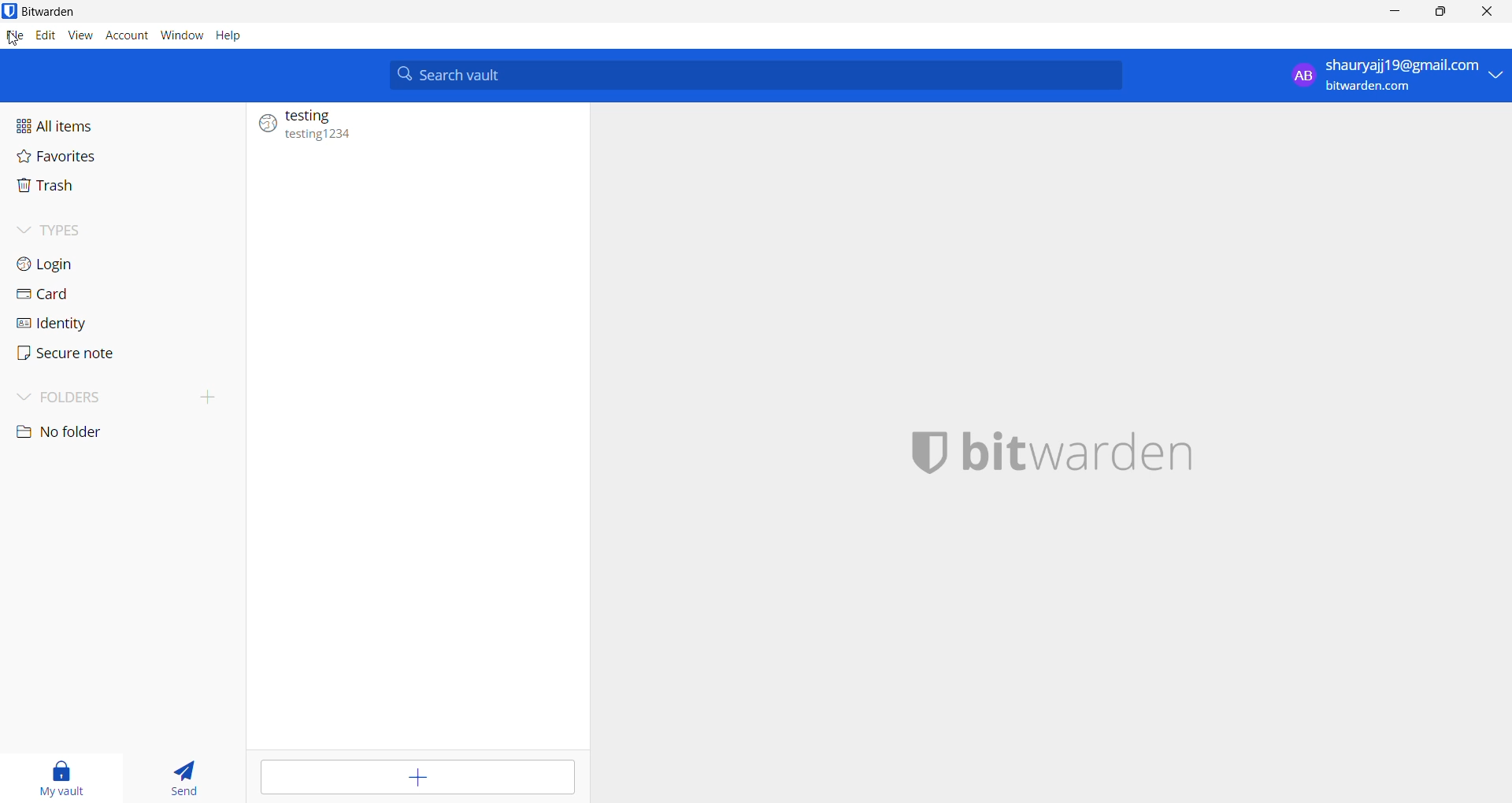  Describe the element at coordinates (77, 161) in the screenshot. I see `favorites` at that location.